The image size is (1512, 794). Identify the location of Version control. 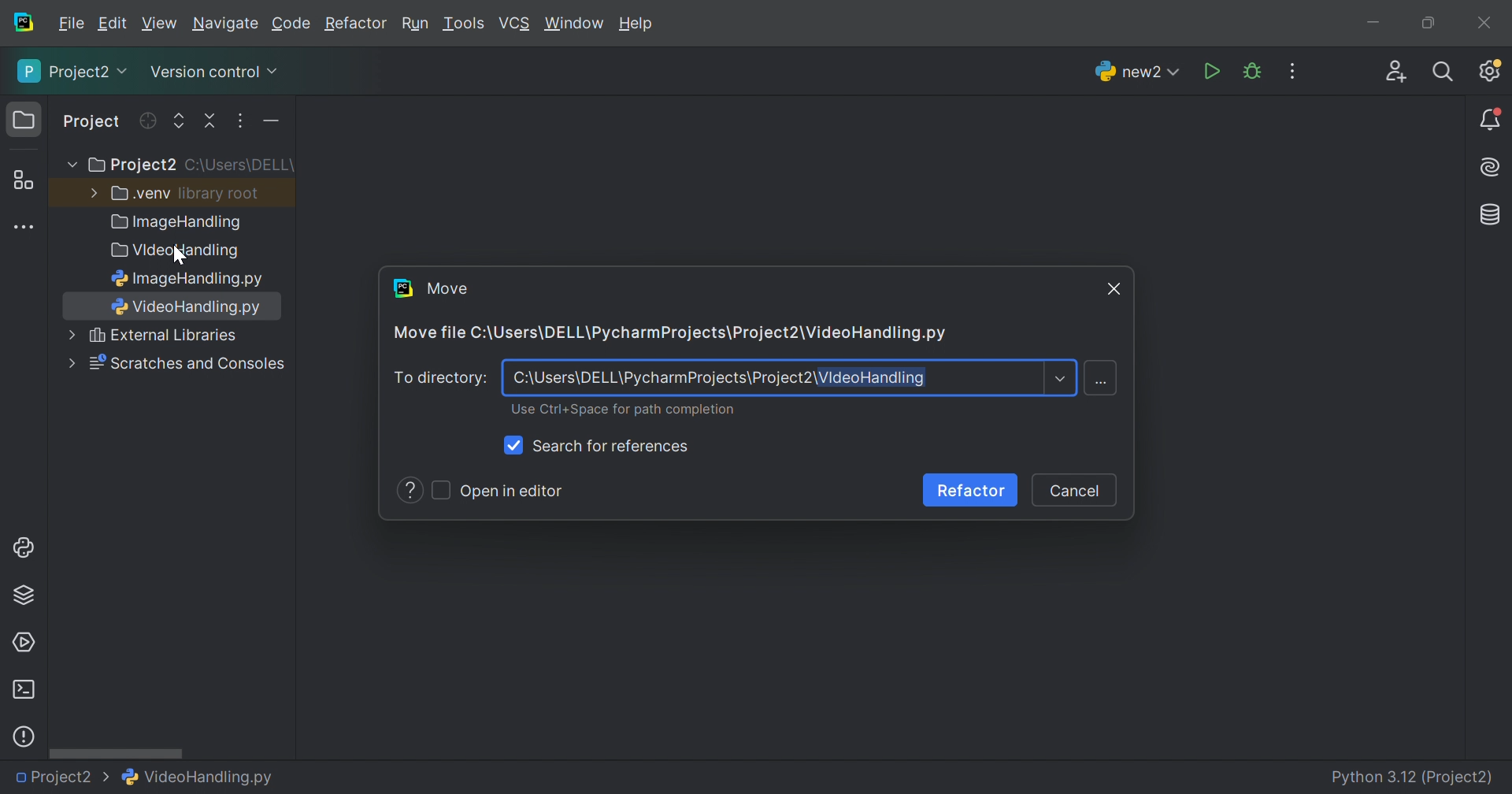
(213, 75).